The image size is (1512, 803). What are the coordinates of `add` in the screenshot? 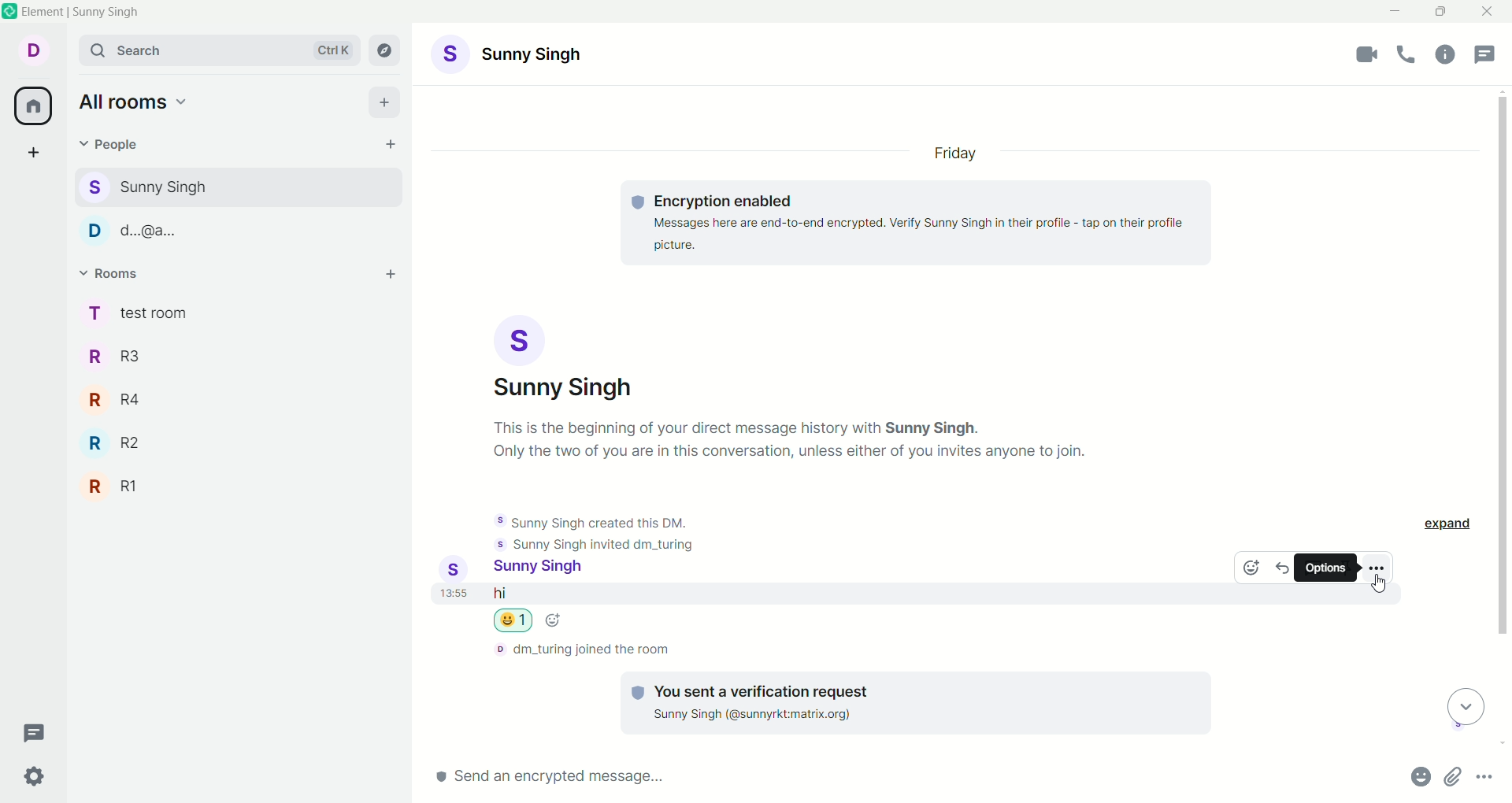 It's located at (389, 279).